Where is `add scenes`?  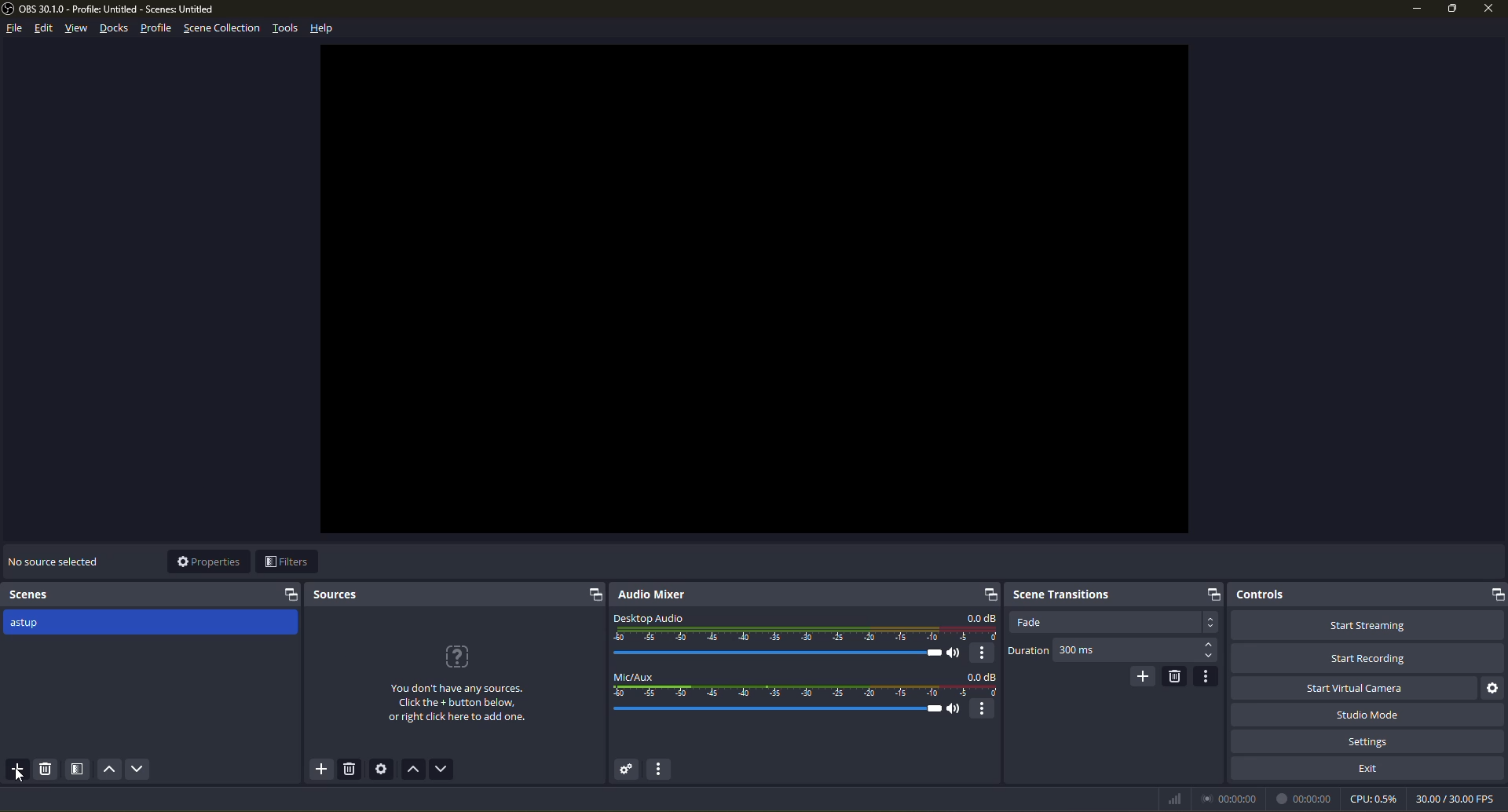 add scenes is located at coordinates (17, 769).